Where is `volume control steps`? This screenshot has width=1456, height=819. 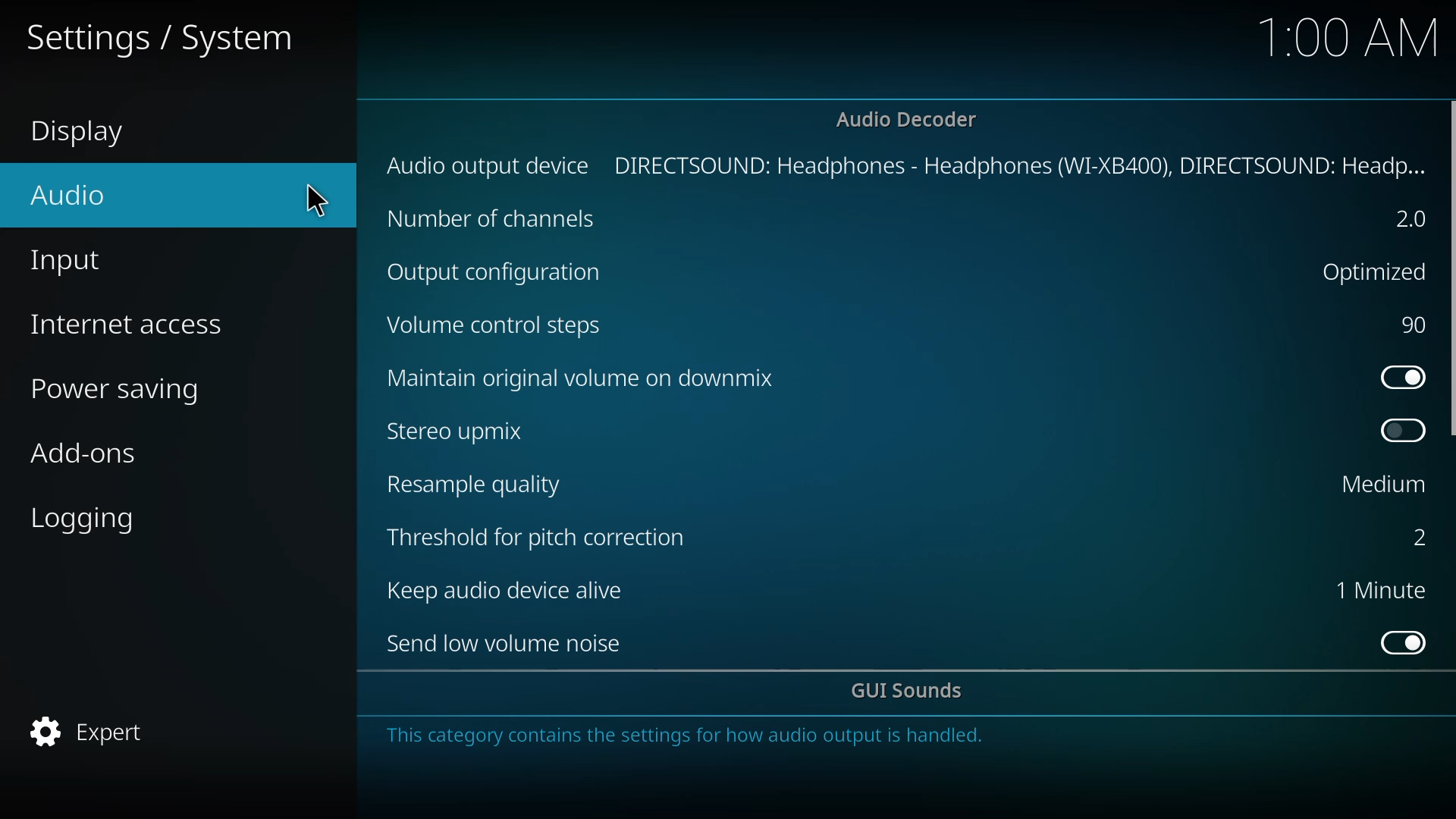 volume control steps is located at coordinates (500, 327).